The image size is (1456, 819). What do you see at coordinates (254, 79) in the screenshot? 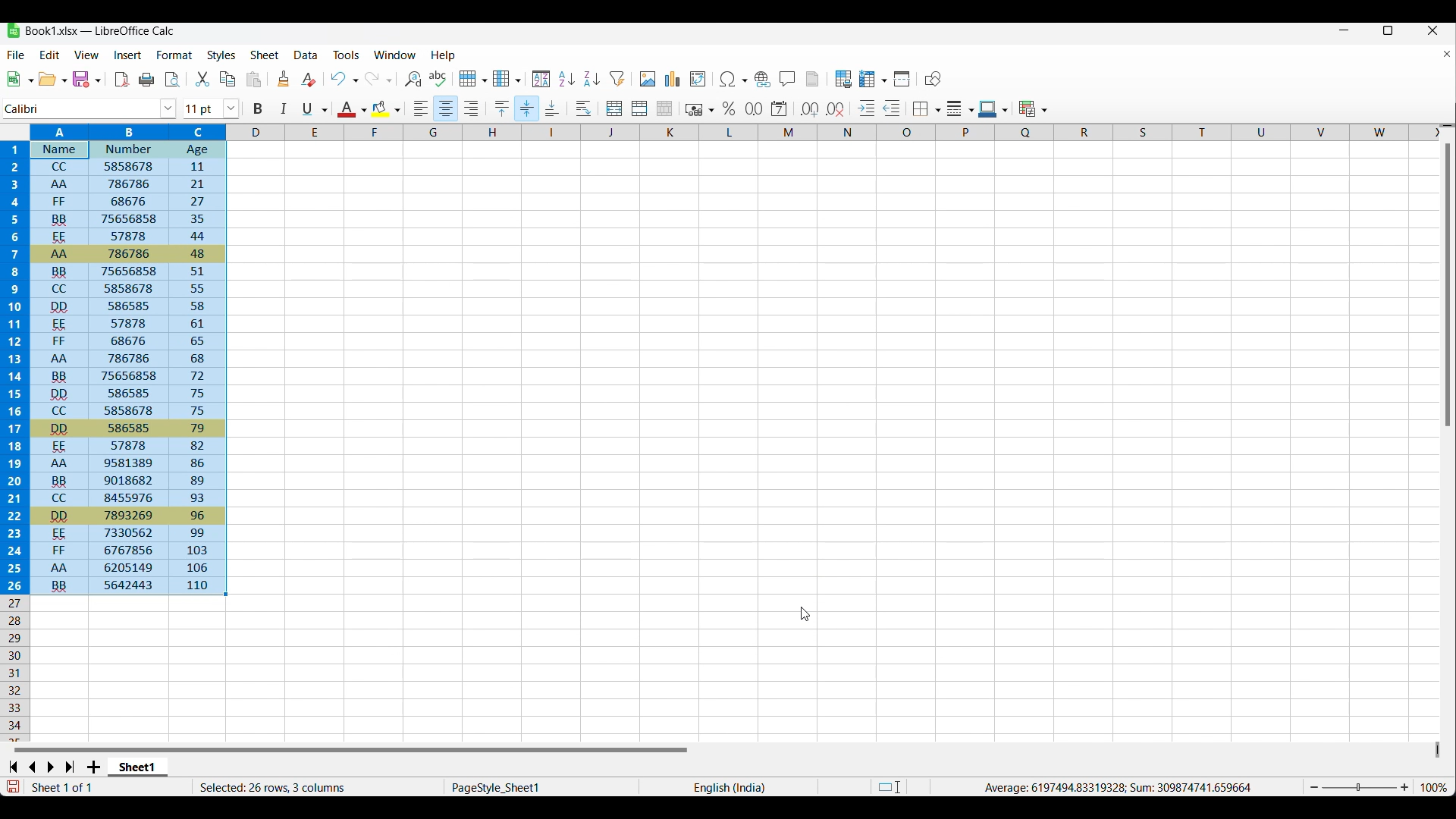
I see `Paste` at bounding box center [254, 79].